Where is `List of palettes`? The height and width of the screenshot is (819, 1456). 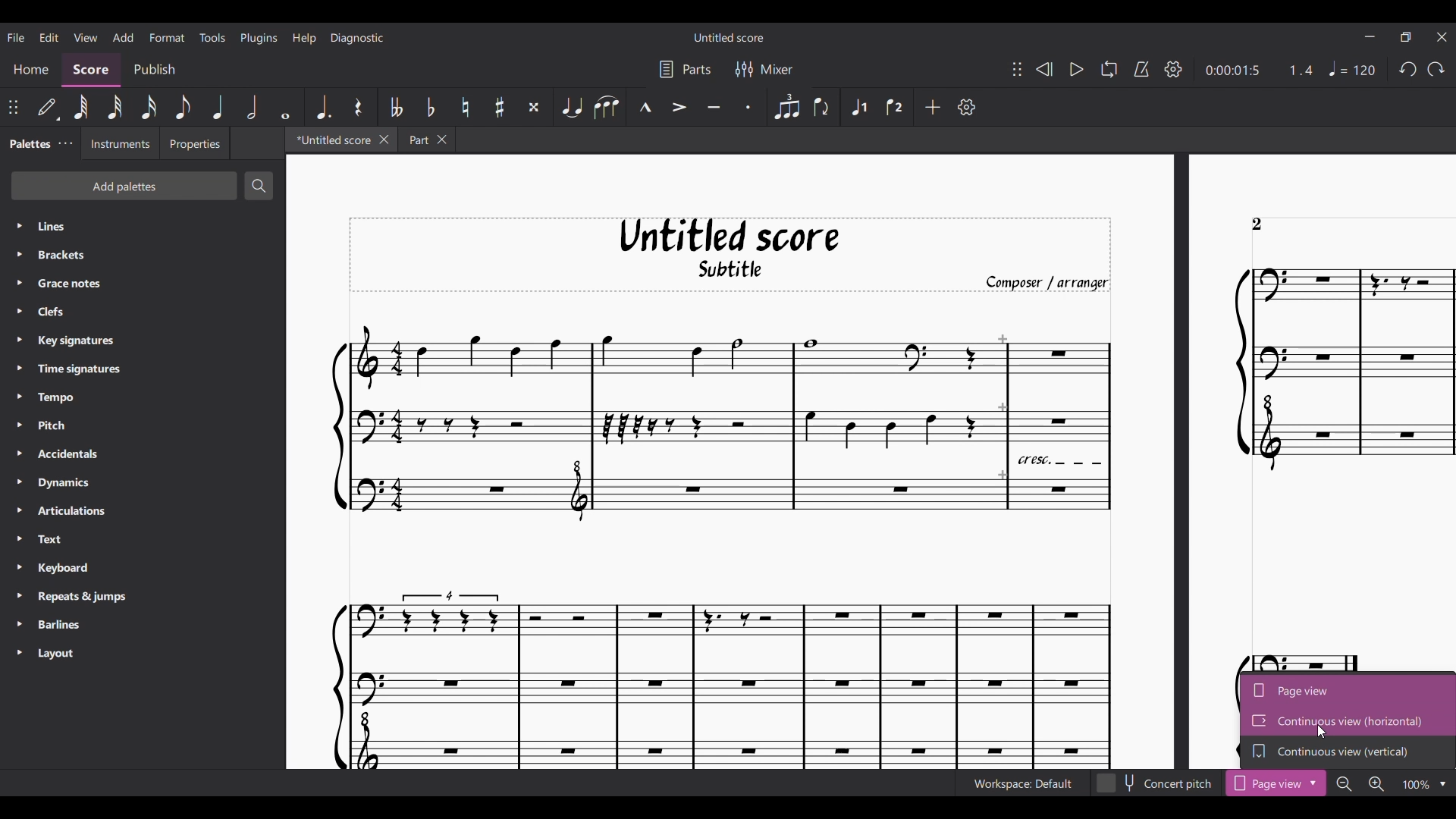 List of palettes is located at coordinates (158, 441).